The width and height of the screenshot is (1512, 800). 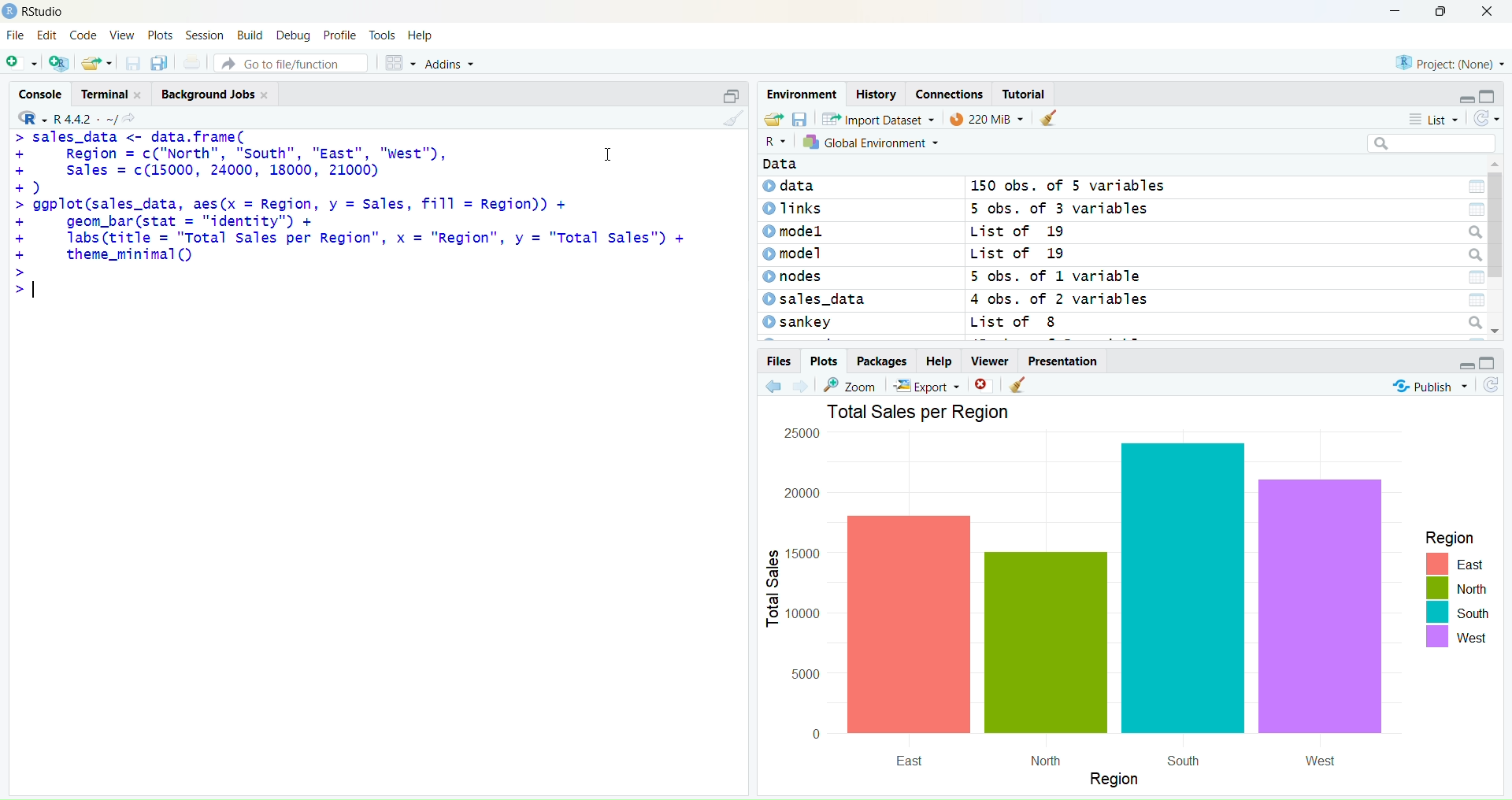 What do you see at coordinates (212, 96) in the screenshot?
I see `Background Jobs` at bounding box center [212, 96].